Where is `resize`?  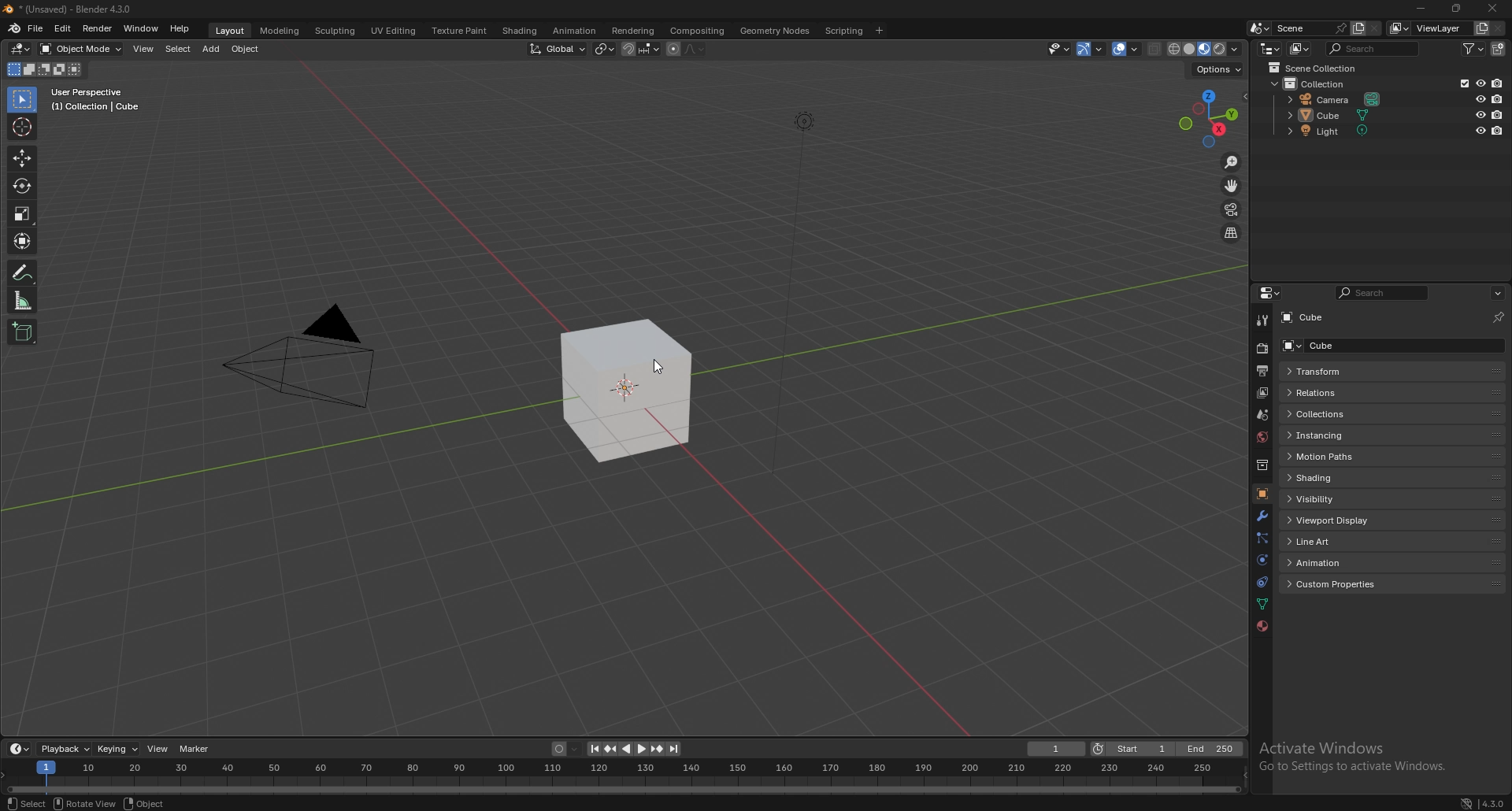
resize is located at coordinates (1458, 9).